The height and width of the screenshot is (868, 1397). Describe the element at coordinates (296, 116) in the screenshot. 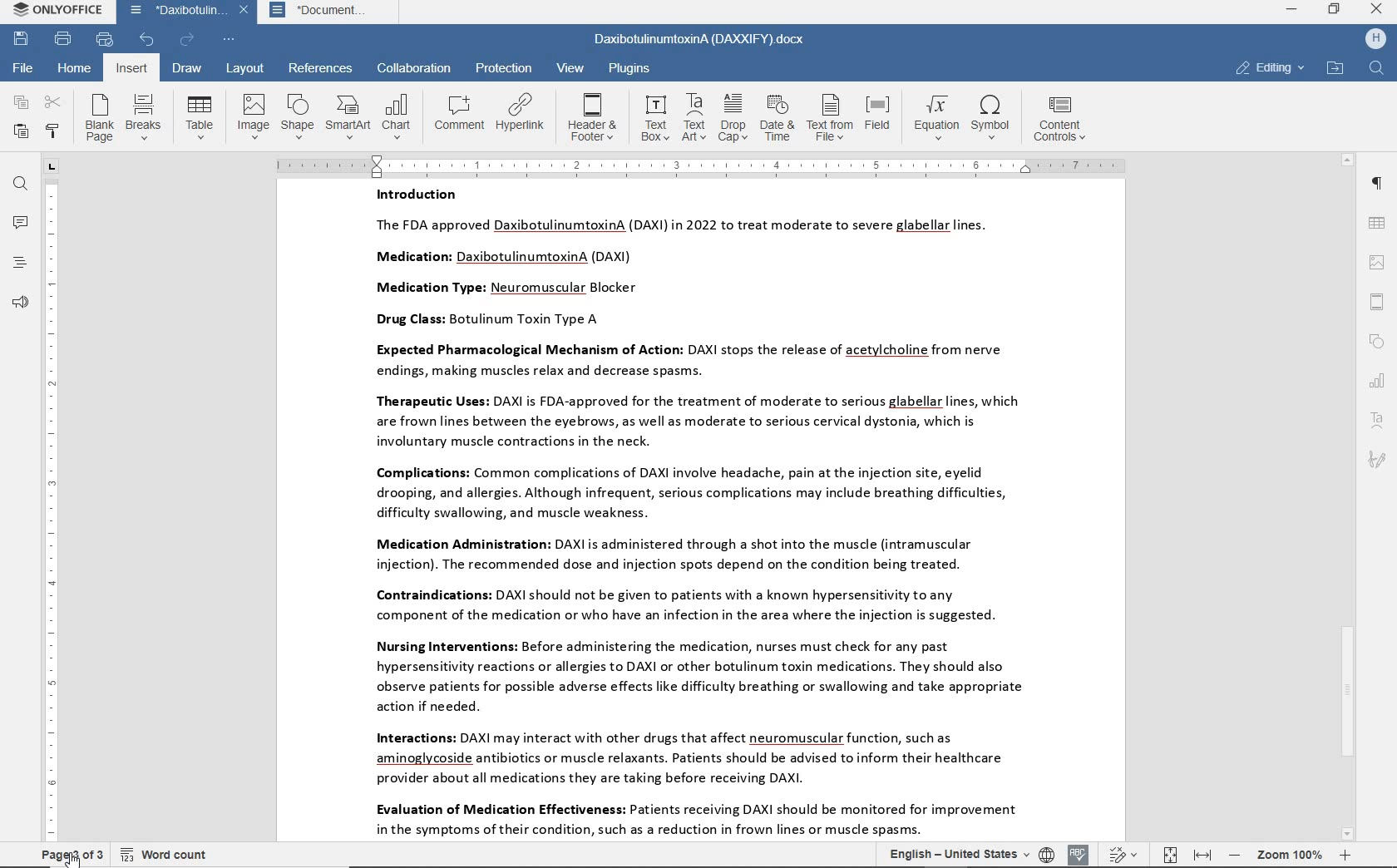

I see `shape` at that location.